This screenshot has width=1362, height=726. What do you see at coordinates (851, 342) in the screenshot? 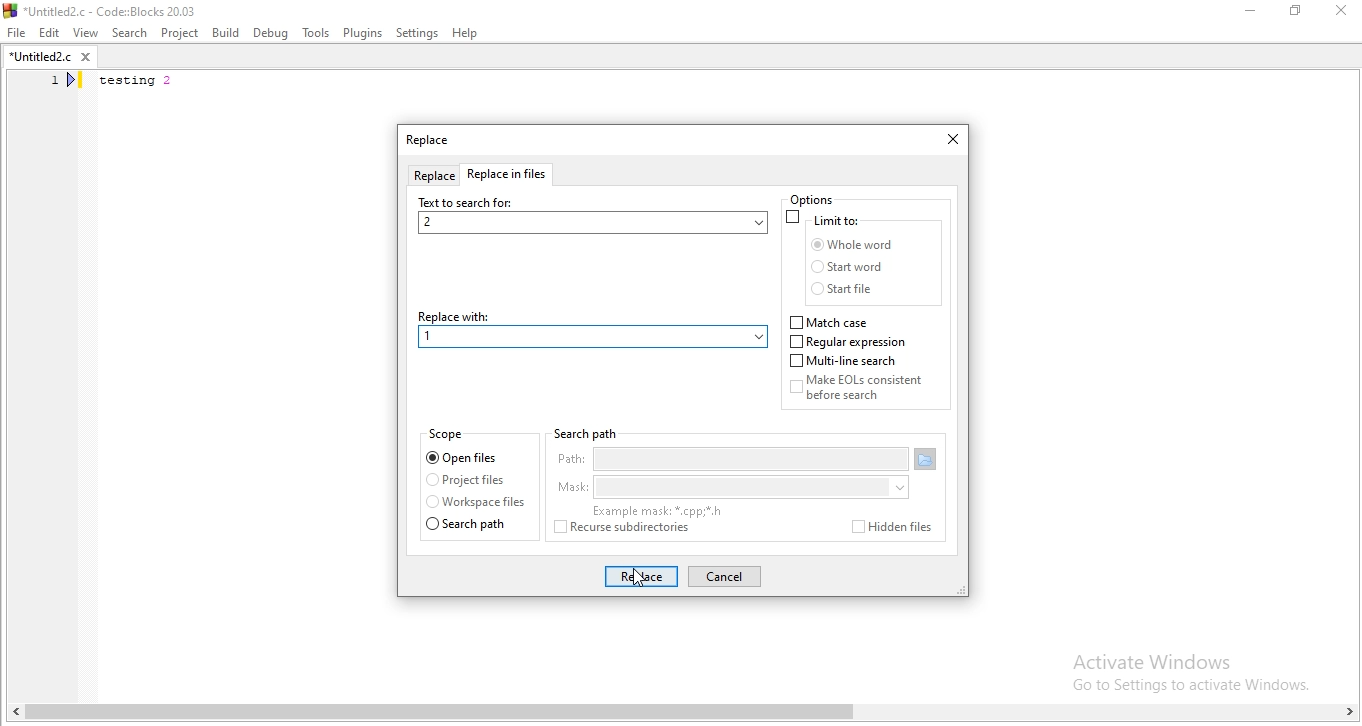
I see `regular expression` at bounding box center [851, 342].